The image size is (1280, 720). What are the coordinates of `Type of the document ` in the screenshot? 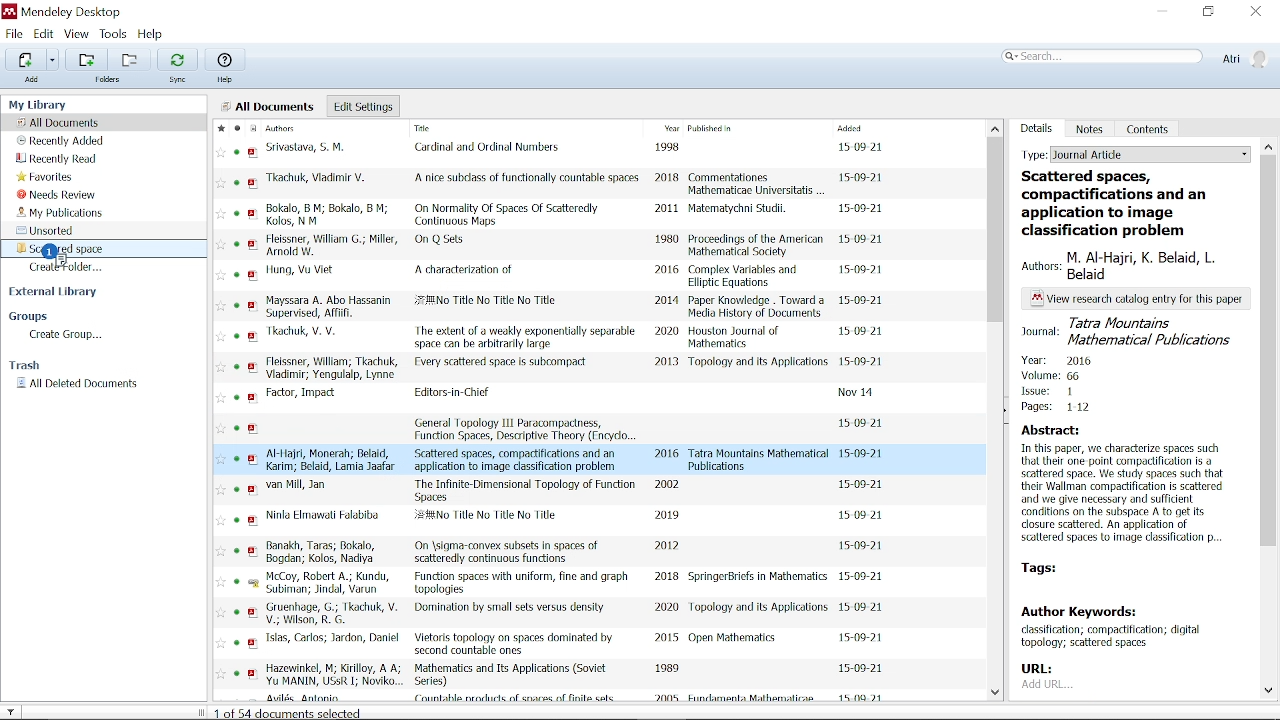 It's located at (1269, 147).